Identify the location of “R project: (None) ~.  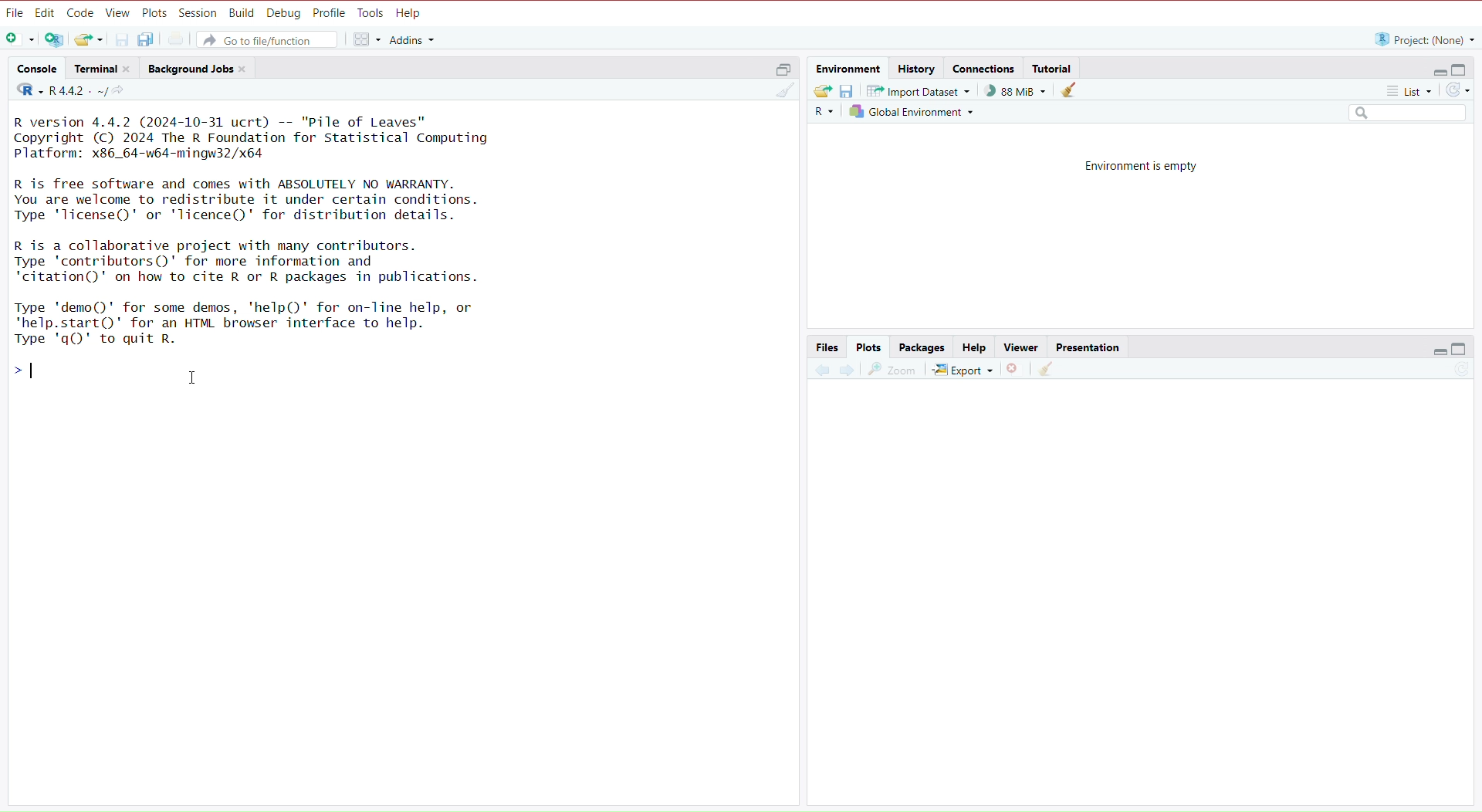
(1425, 37).